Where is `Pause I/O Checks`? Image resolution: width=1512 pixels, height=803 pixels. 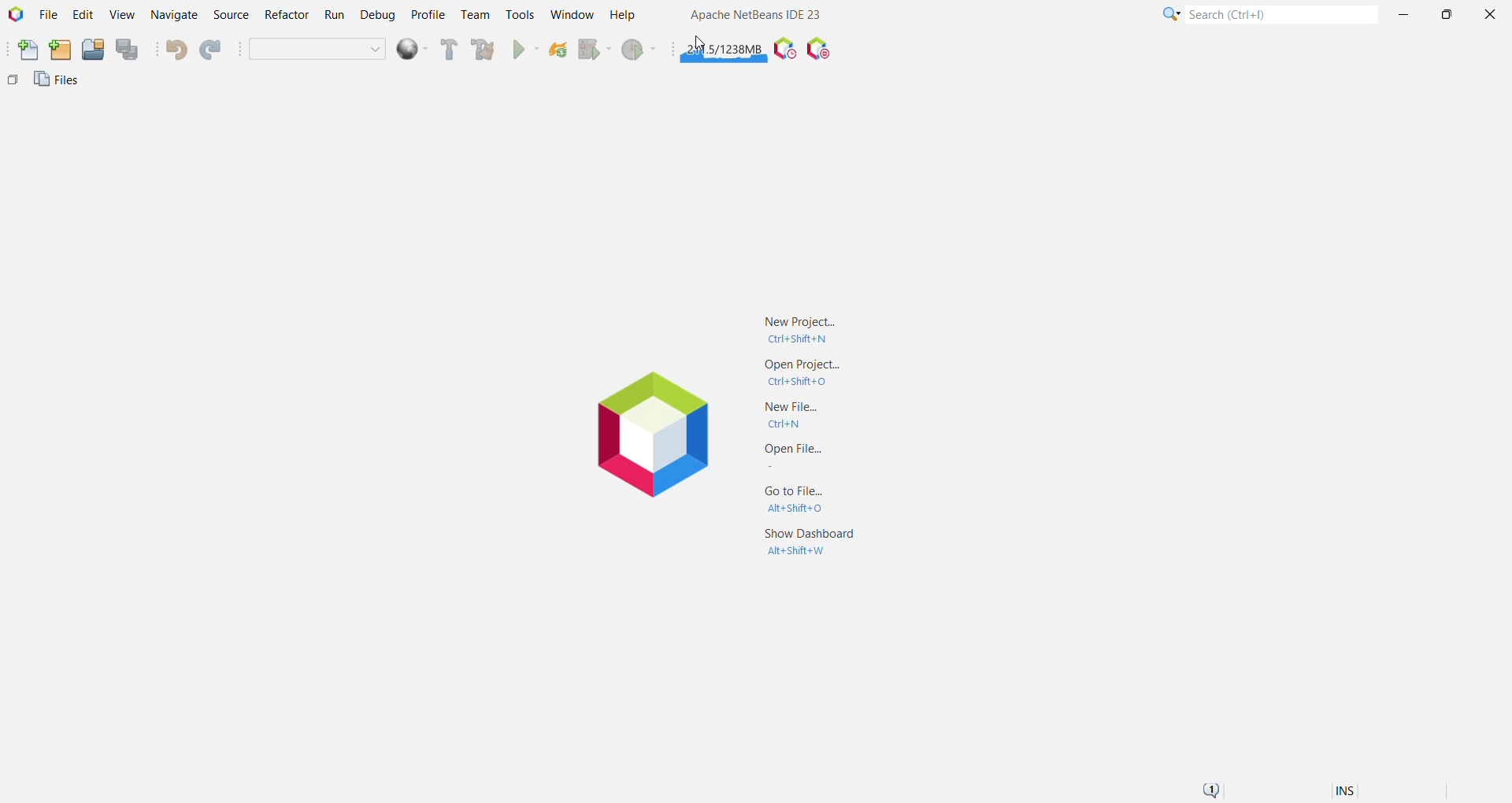 Pause I/O Checks is located at coordinates (820, 50).